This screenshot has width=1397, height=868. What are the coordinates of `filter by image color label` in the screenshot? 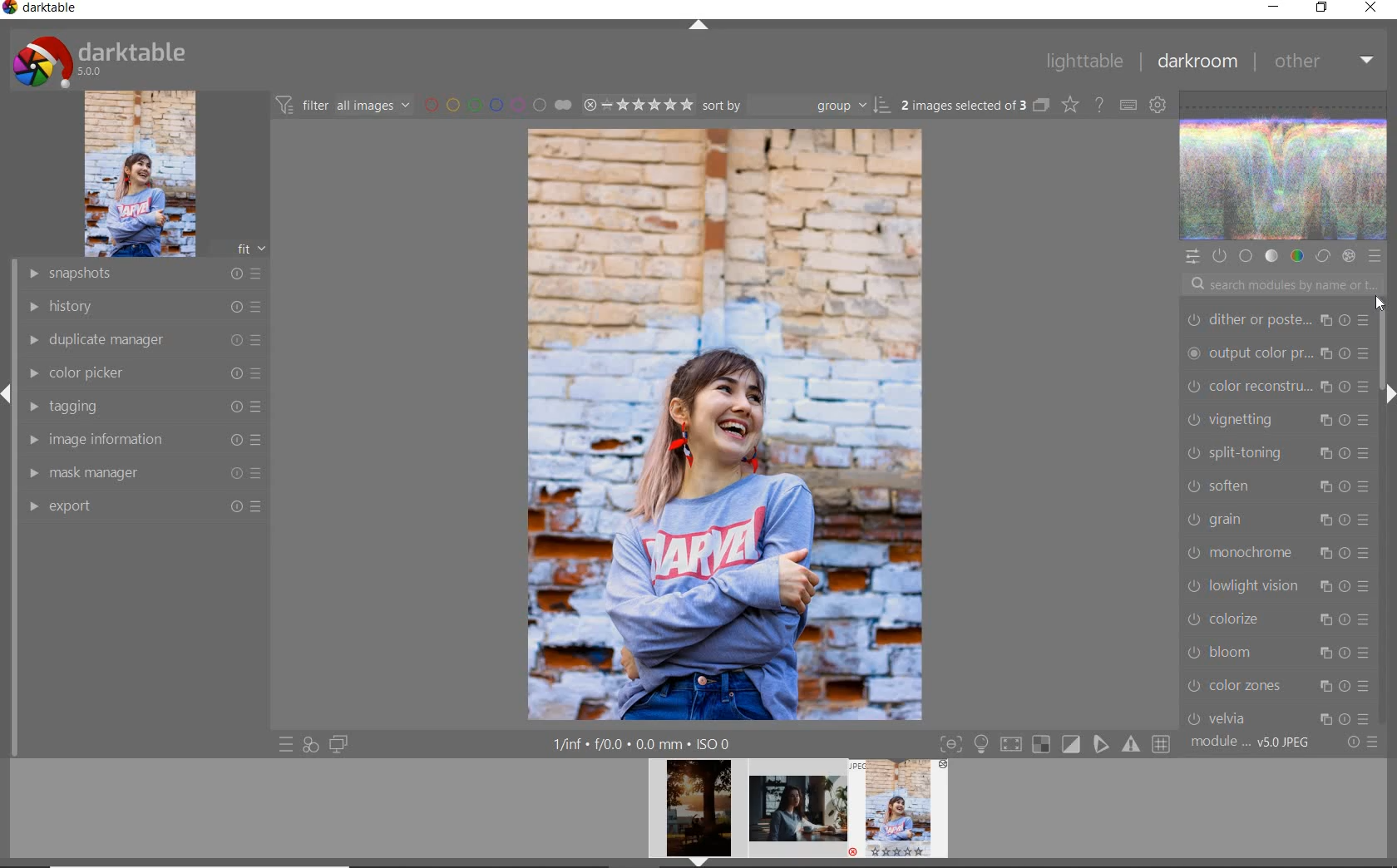 It's located at (496, 104).